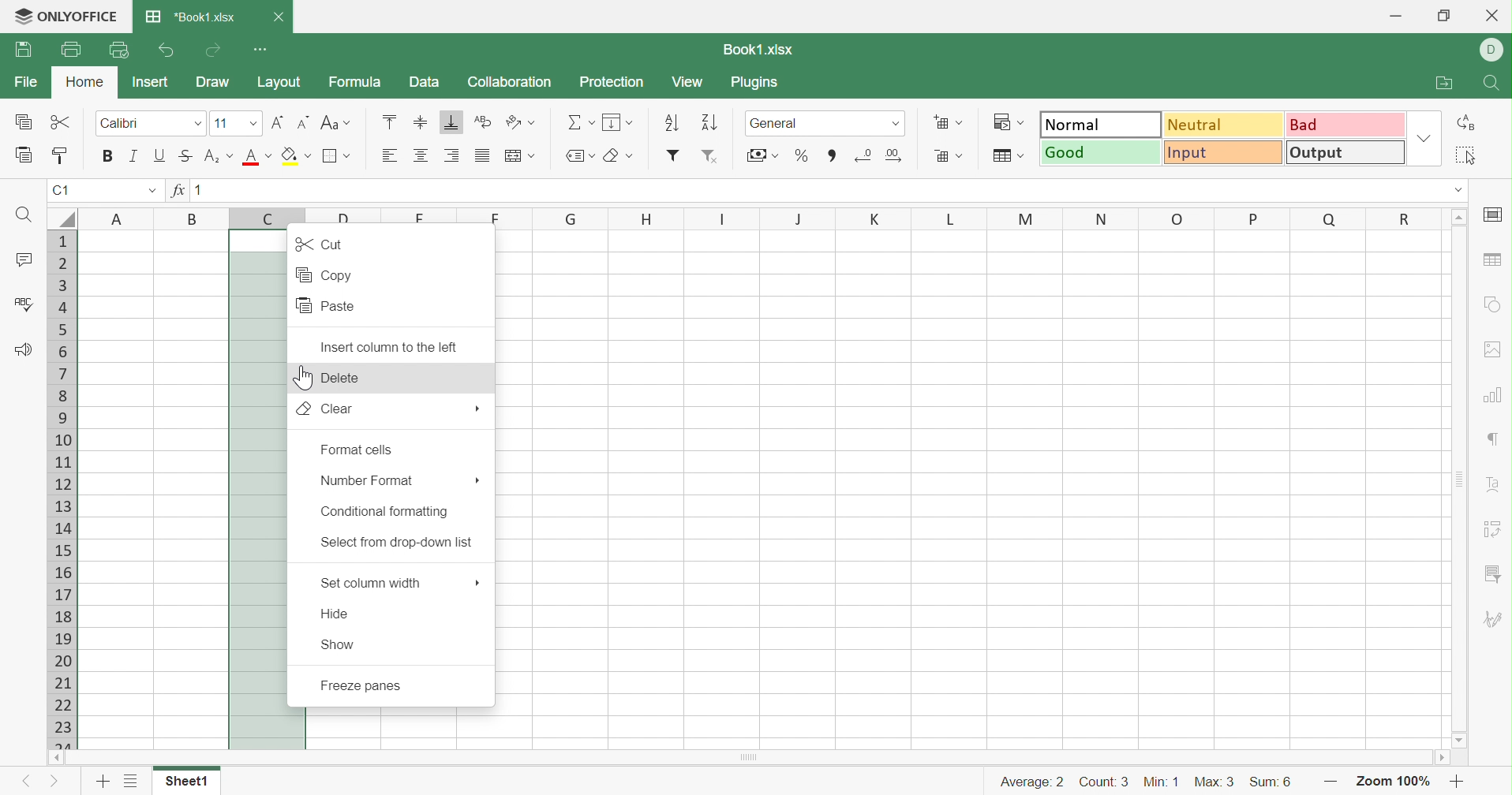  Describe the element at coordinates (766, 47) in the screenshot. I see `Book1.xlsx` at that location.